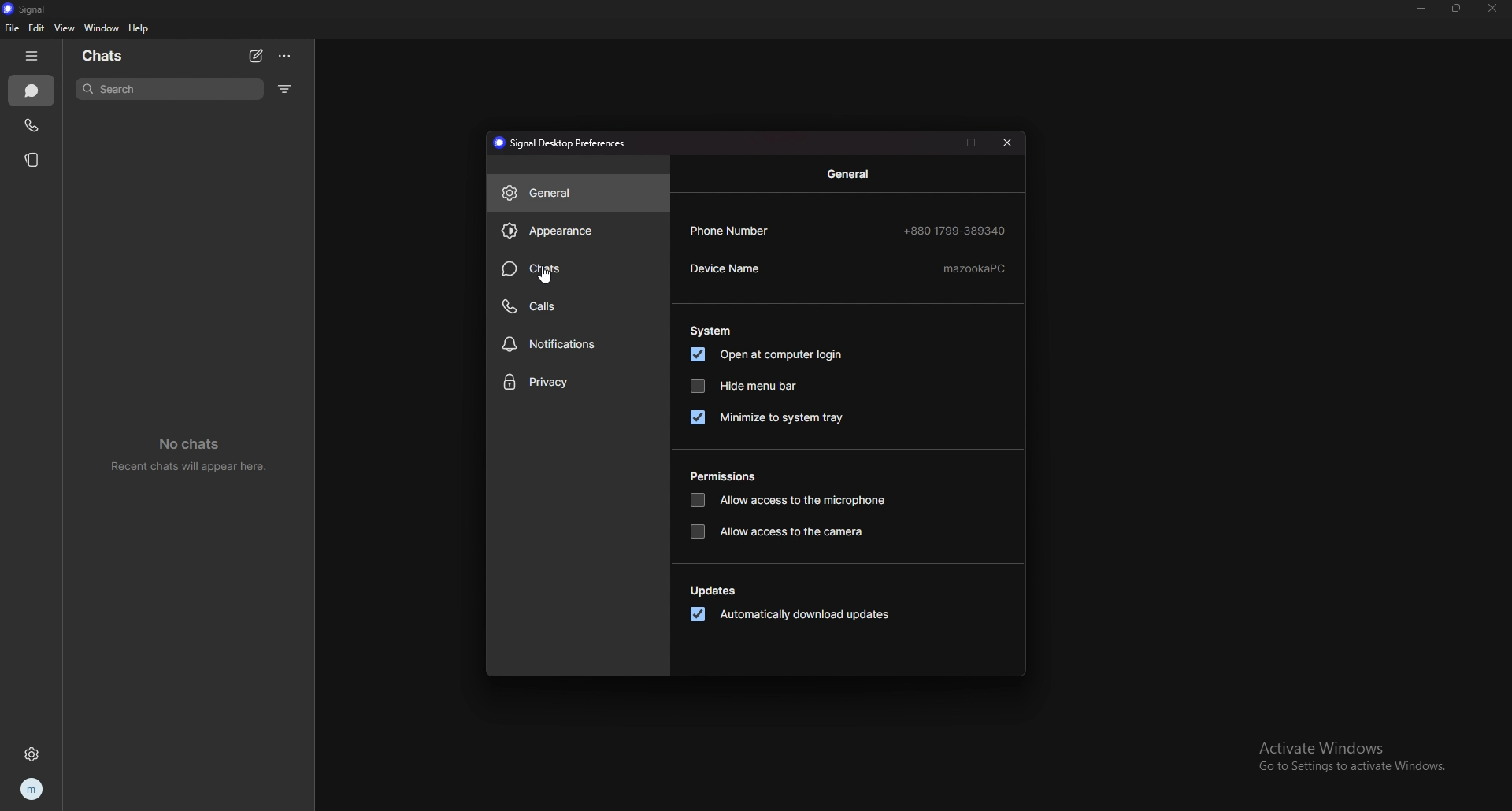 The width and height of the screenshot is (1512, 811). What do you see at coordinates (744, 385) in the screenshot?
I see `hide menu bar` at bounding box center [744, 385].